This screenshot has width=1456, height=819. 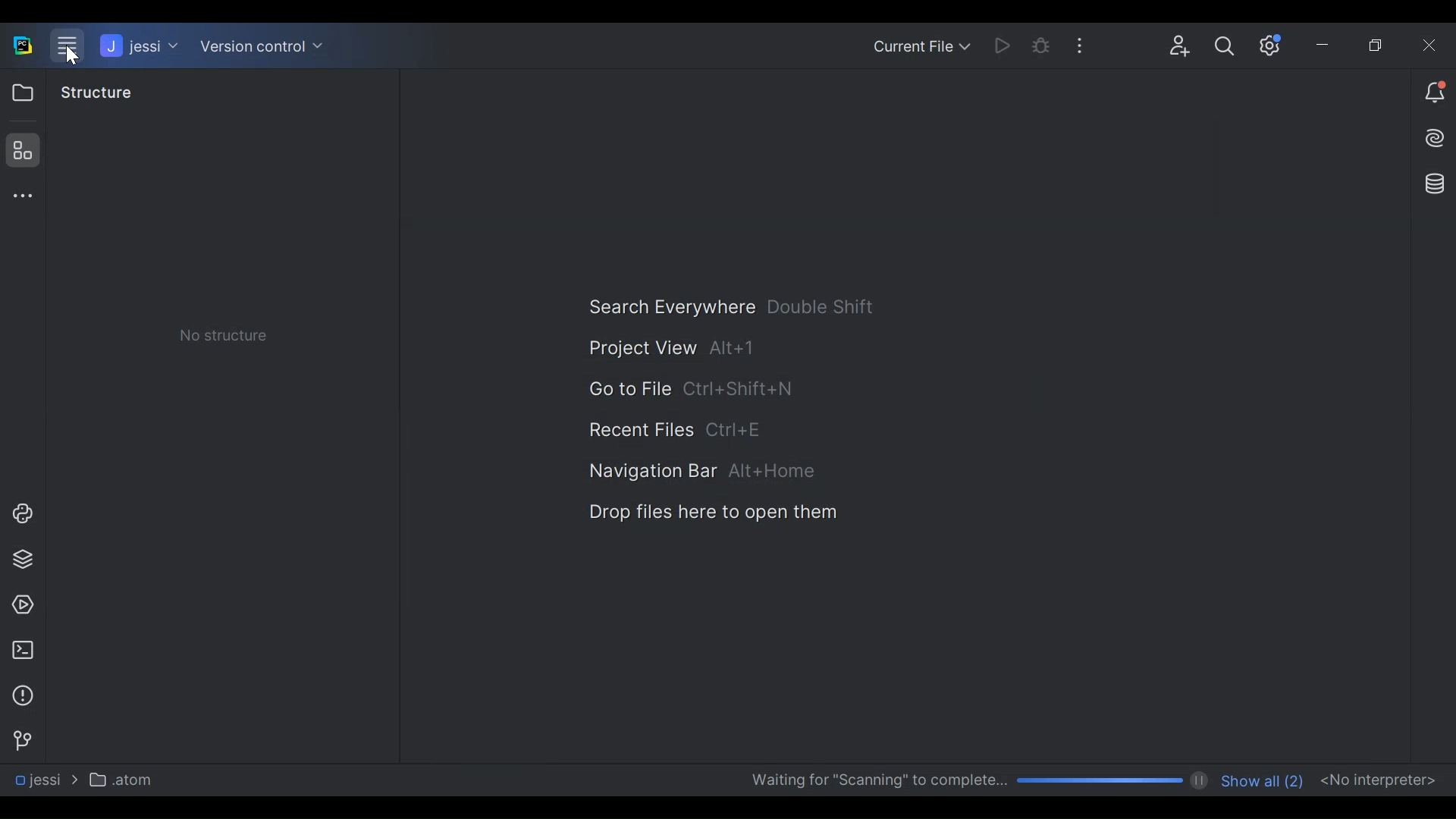 I want to click on No Structure, so click(x=224, y=334).